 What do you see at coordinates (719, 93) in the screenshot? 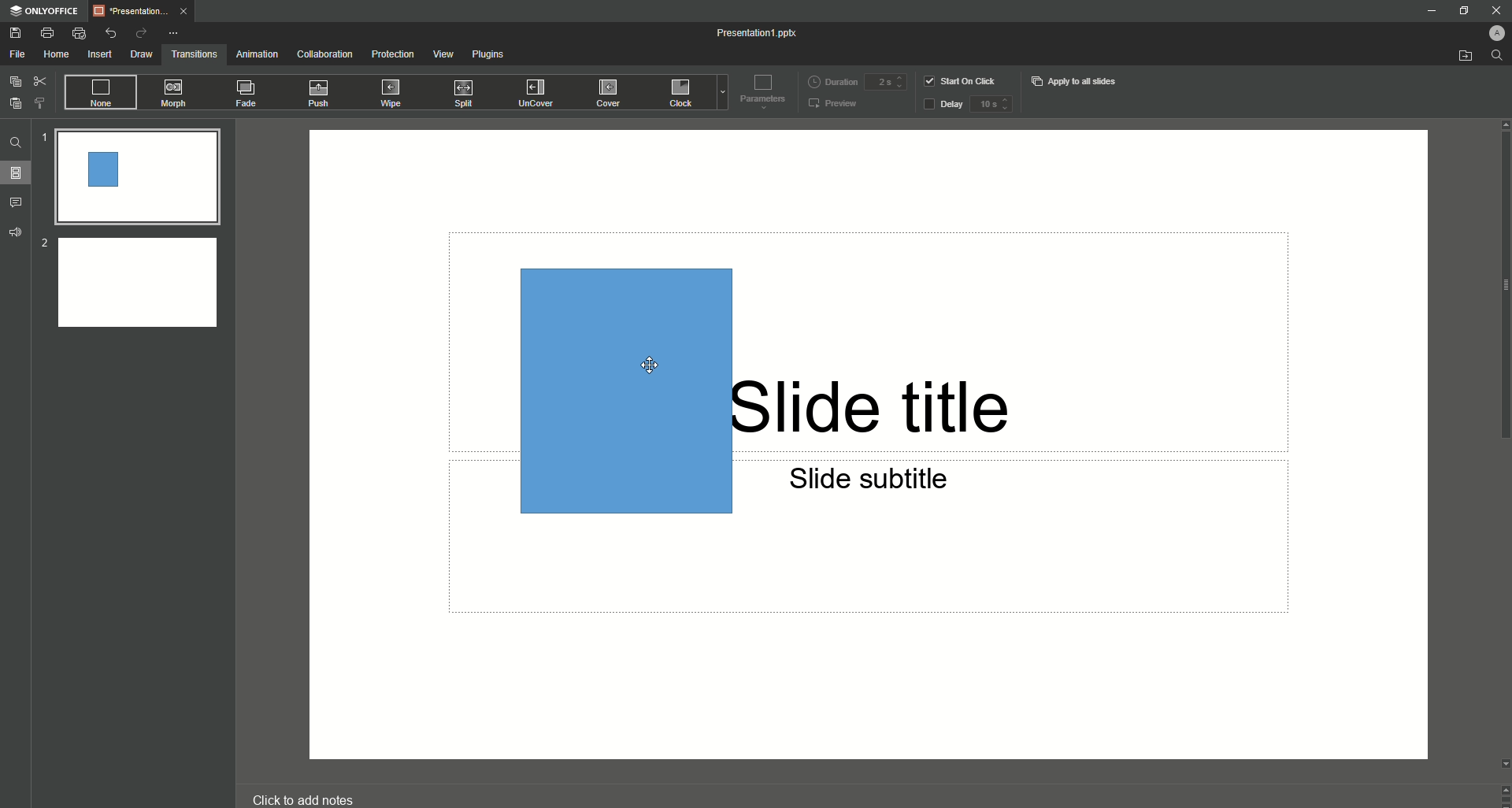
I see `Drop down menu` at bounding box center [719, 93].